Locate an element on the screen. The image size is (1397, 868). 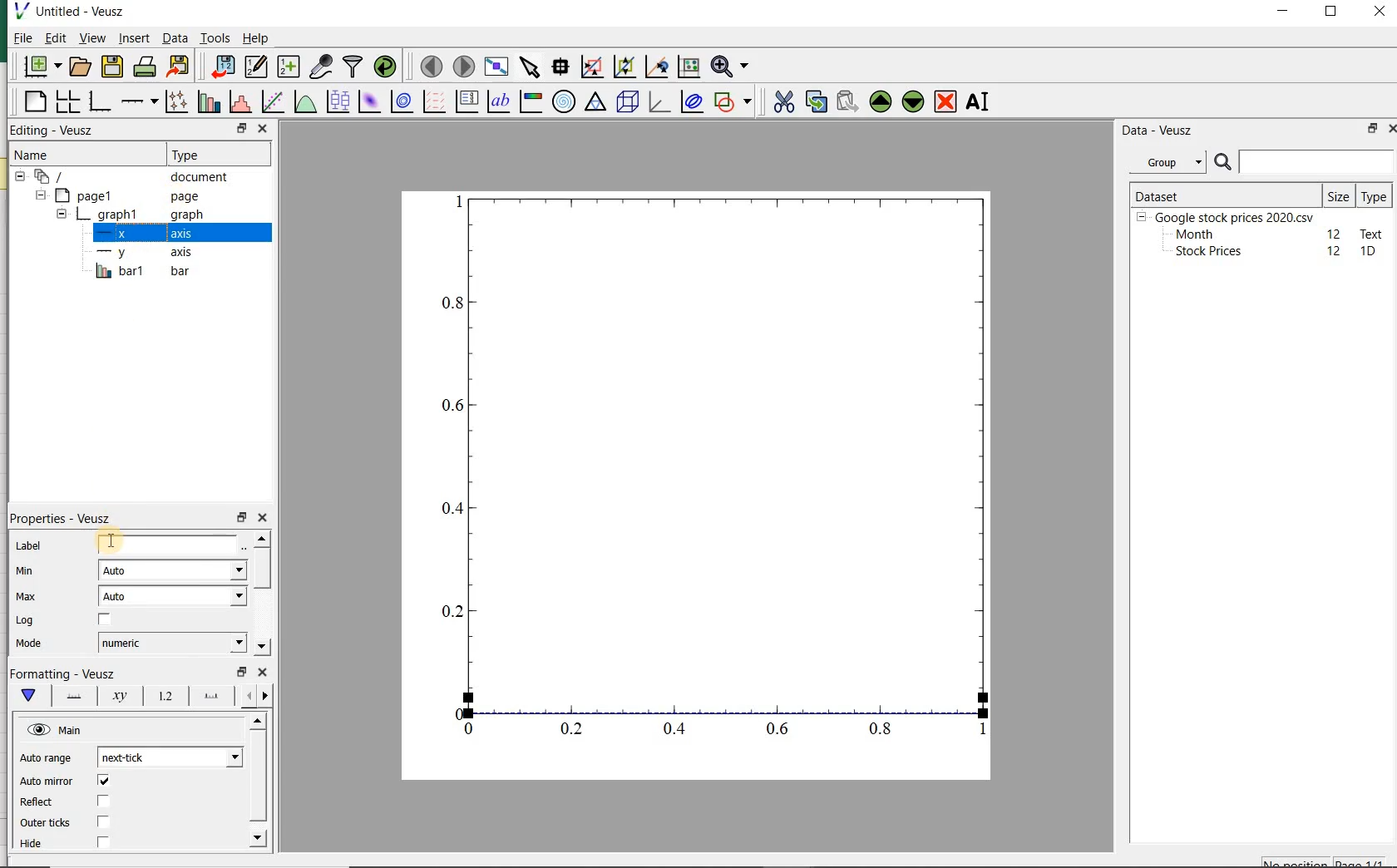
3d scene is located at coordinates (628, 103).